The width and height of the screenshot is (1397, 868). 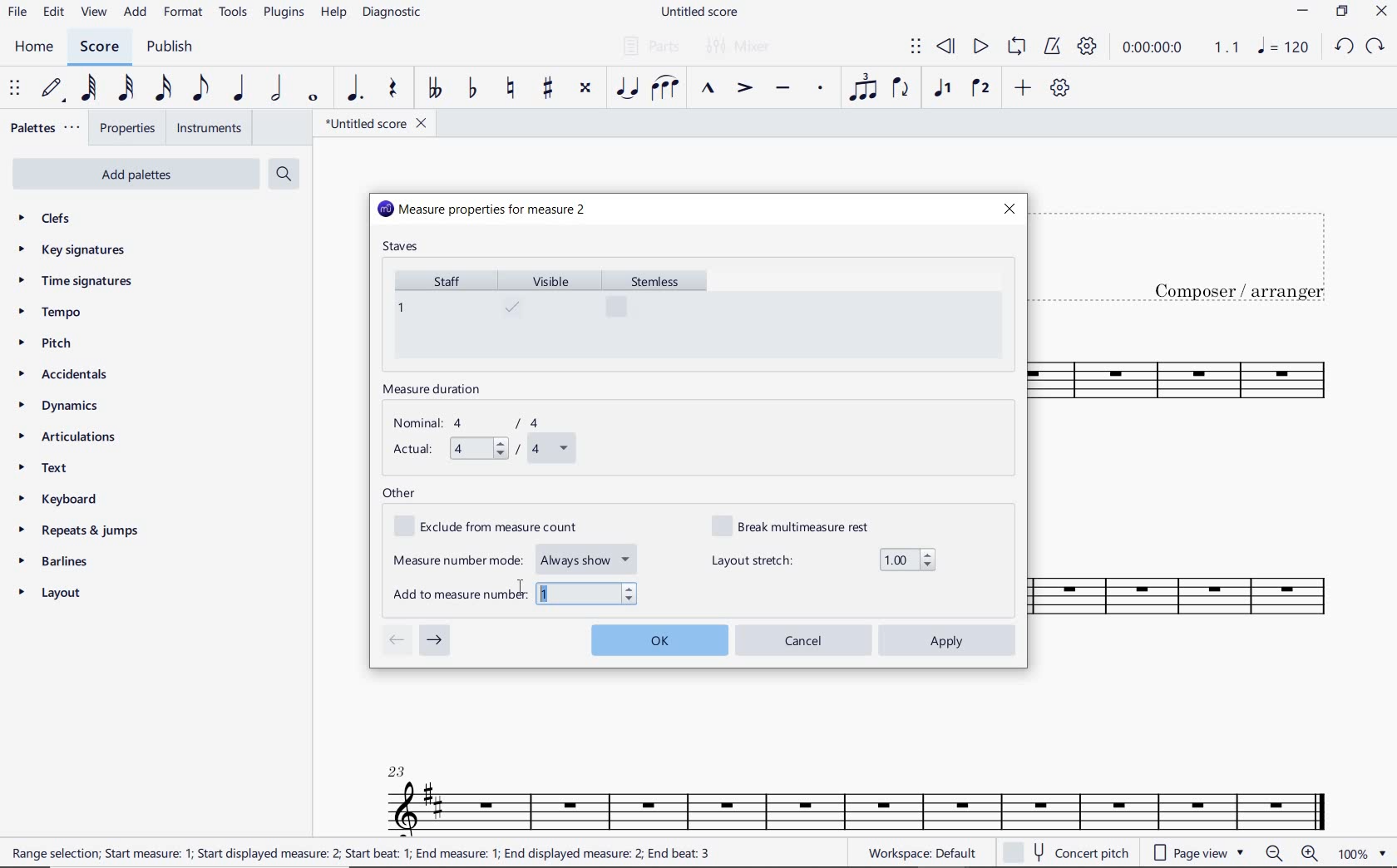 I want to click on SEARCH PALETTES, so click(x=286, y=175).